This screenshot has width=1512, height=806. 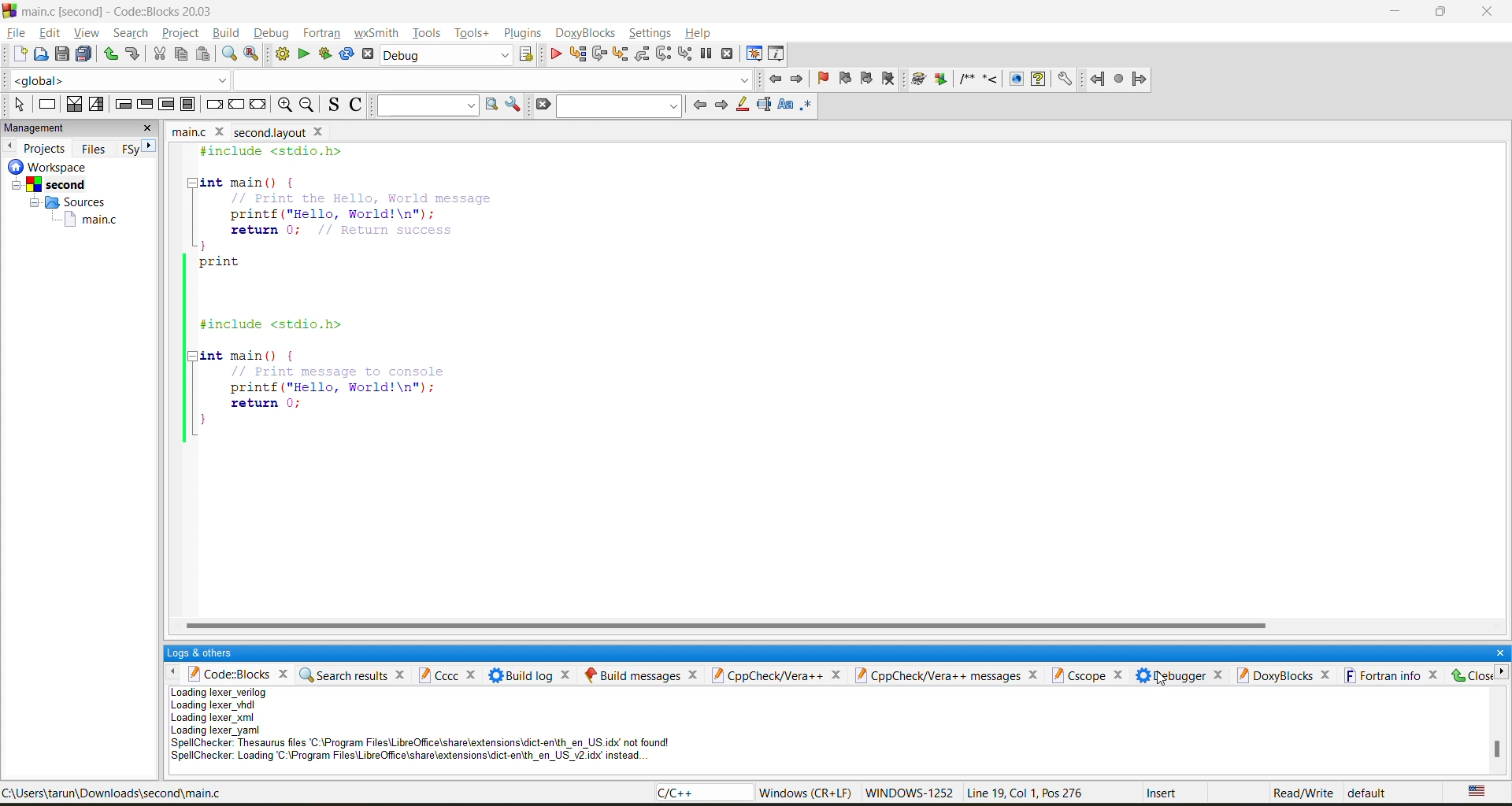 What do you see at coordinates (72, 104) in the screenshot?
I see `decision` at bounding box center [72, 104].